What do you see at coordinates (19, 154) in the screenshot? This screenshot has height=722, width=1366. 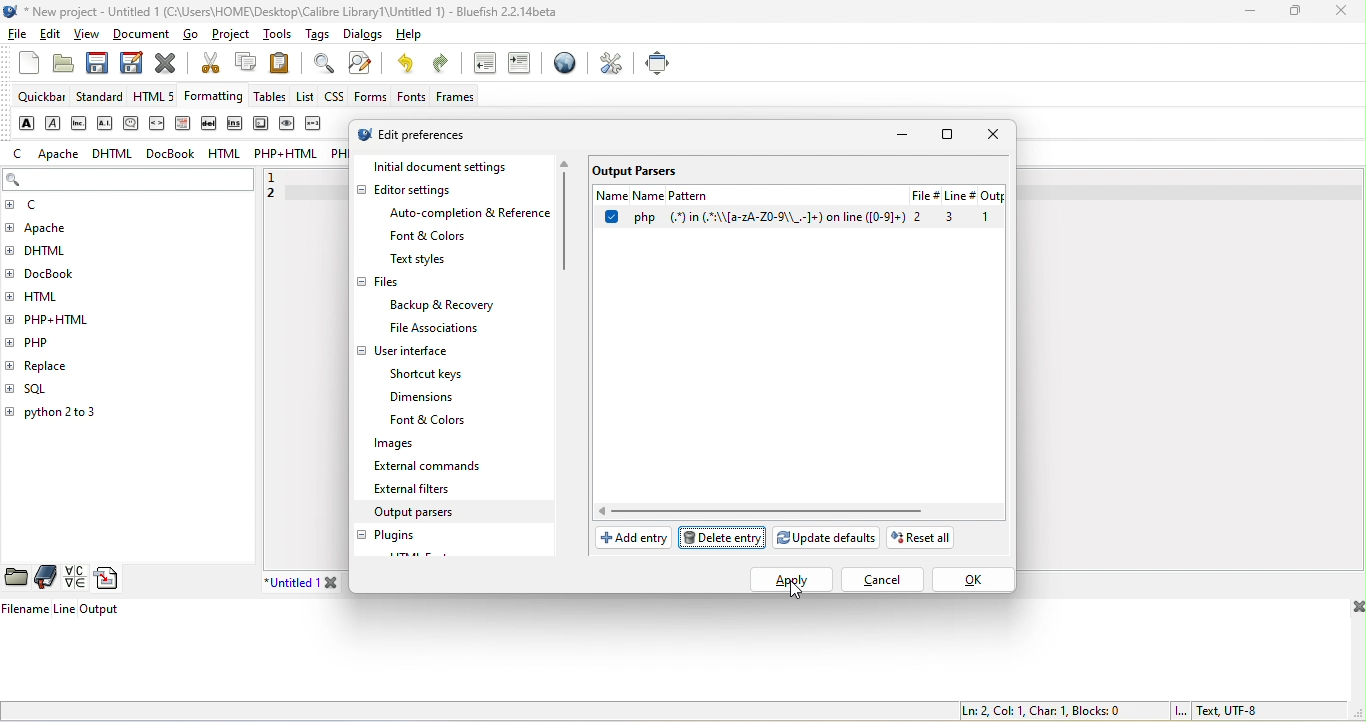 I see `c` at bounding box center [19, 154].